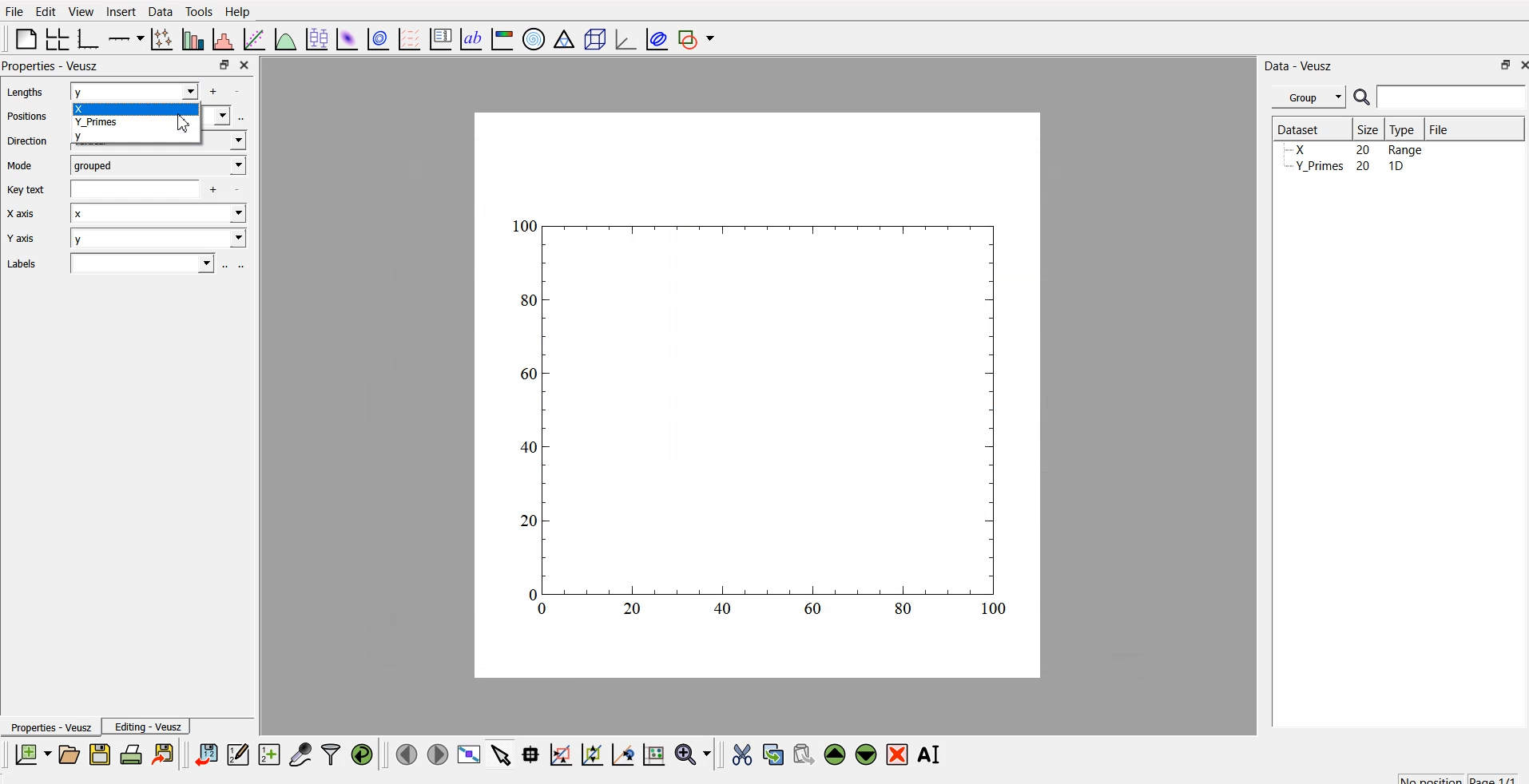 Image resolution: width=1529 pixels, height=784 pixels. I want to click on reload linked dataset, so click(362, 752).